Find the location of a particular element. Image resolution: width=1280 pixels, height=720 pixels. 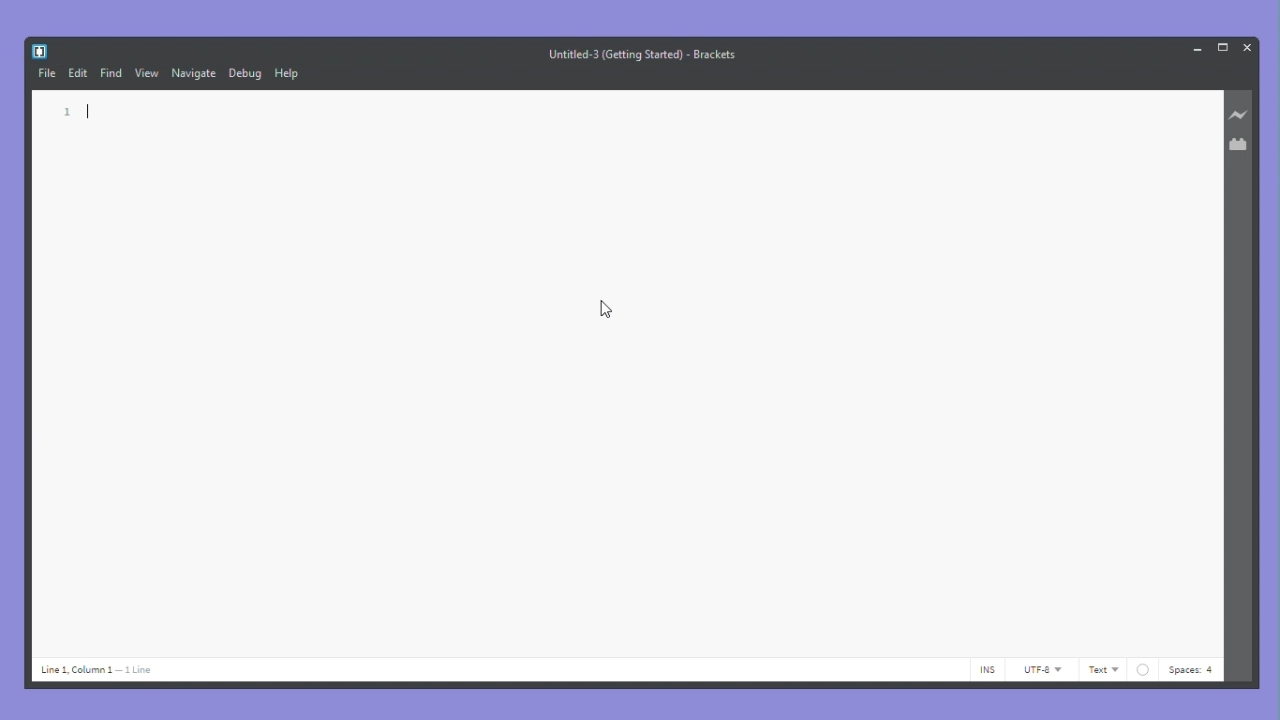

debug is located at coordinates (245, 74).